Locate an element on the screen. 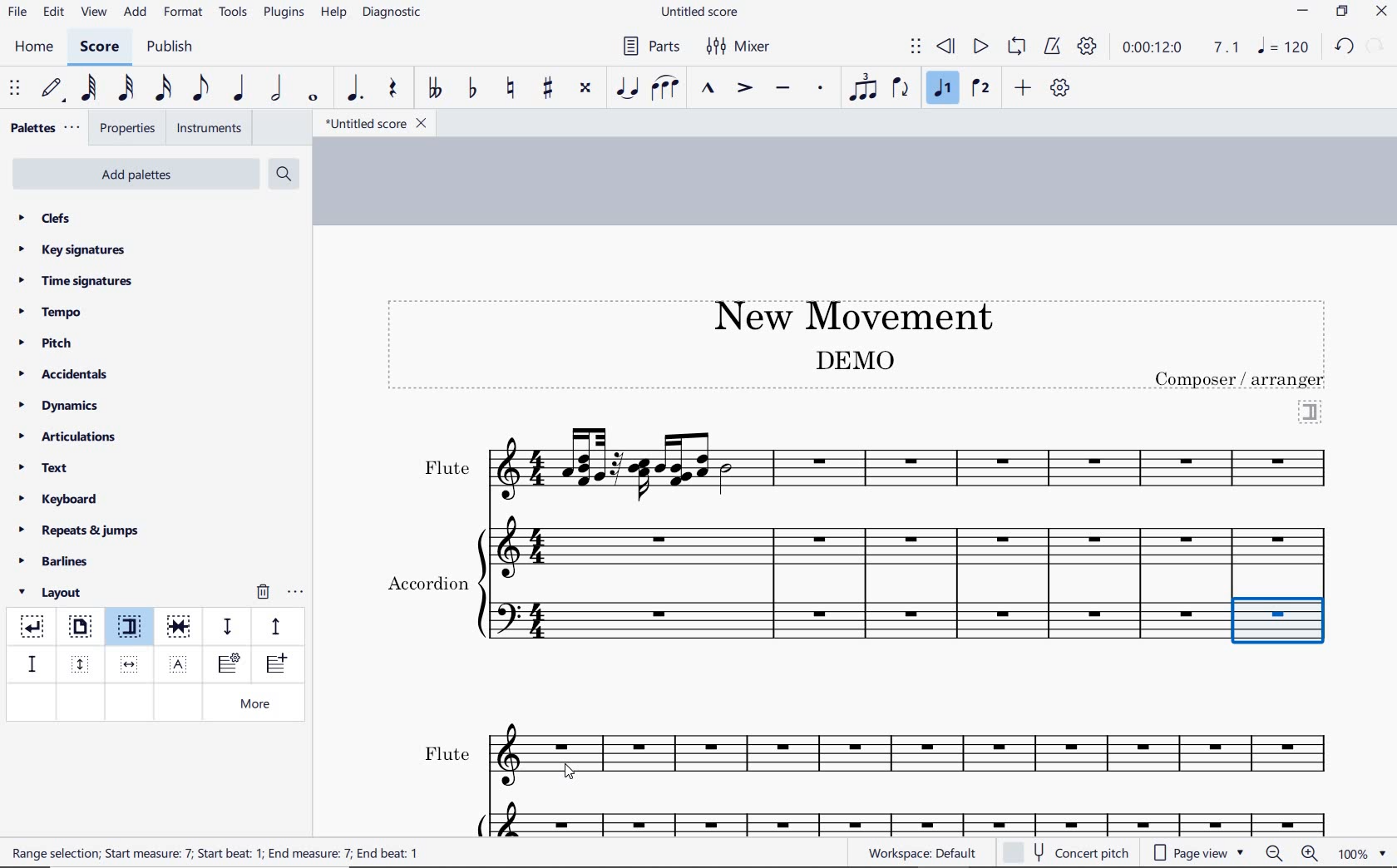 This screenshot has height=868, width=1397. text is located at coordinates (447, 754).